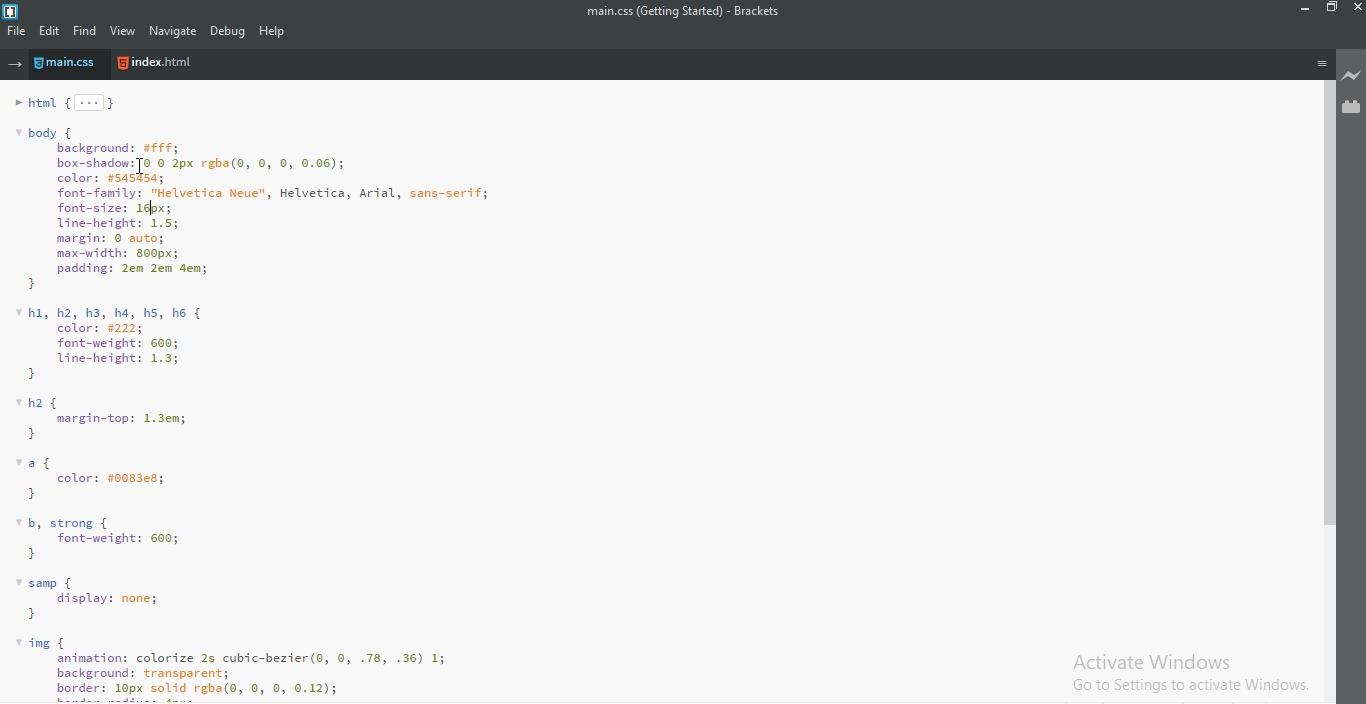 This screenshot has height=704, width=1366. I want to click on Index.html, so click(156, 64).